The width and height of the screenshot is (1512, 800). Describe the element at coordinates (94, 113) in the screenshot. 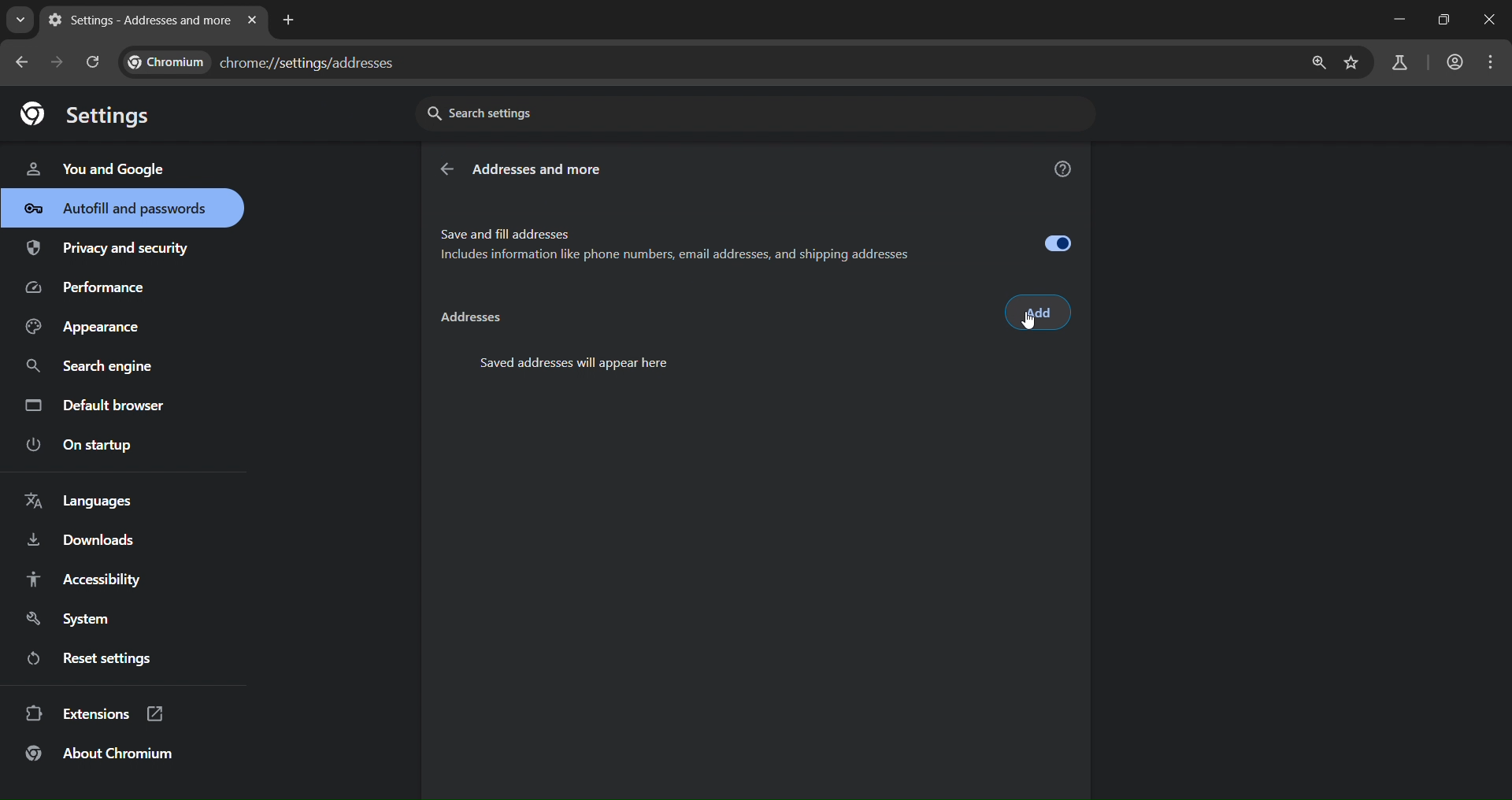

I see `settings` at that location.